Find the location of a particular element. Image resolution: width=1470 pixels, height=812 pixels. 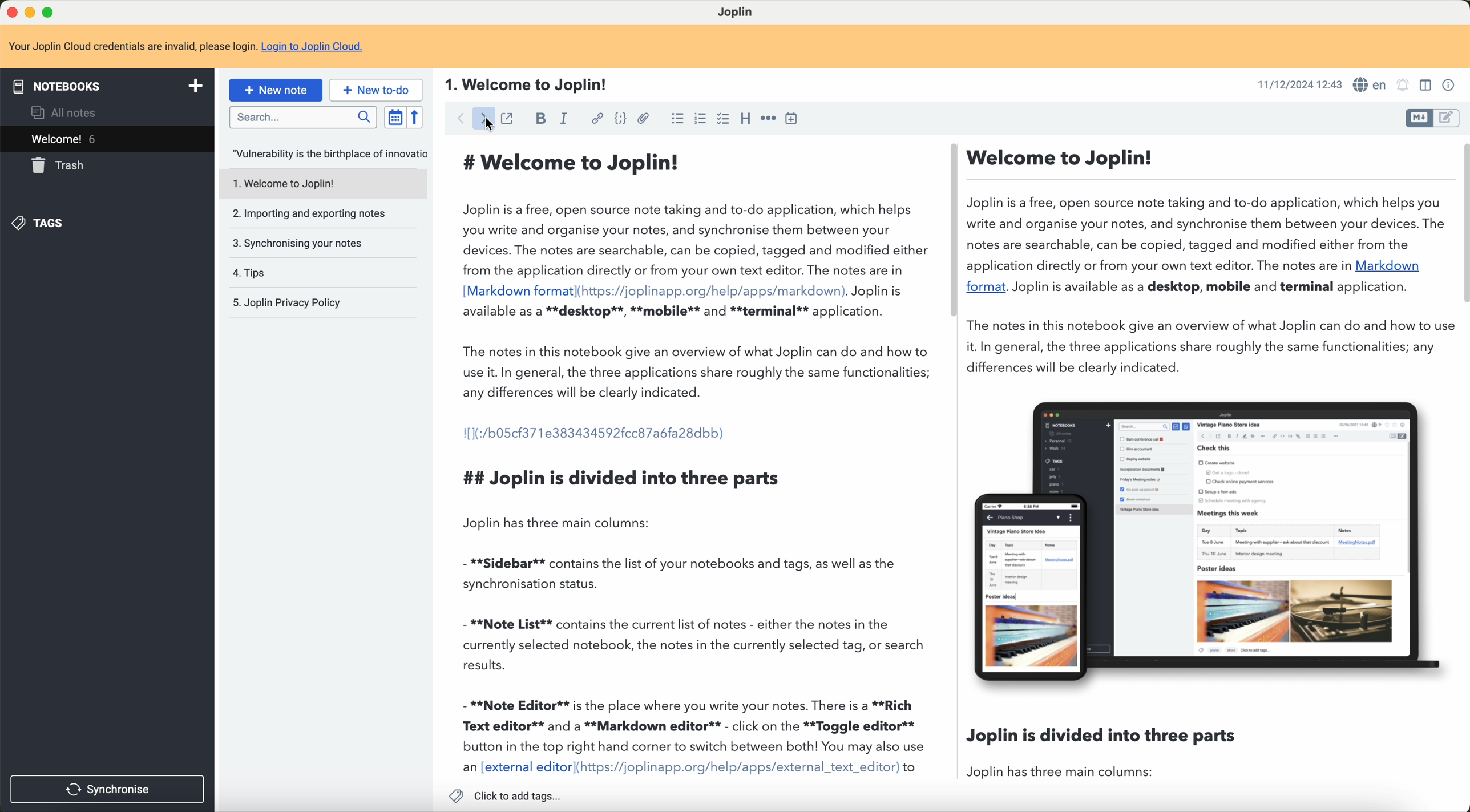

italic is located at coordinates (567, 118).